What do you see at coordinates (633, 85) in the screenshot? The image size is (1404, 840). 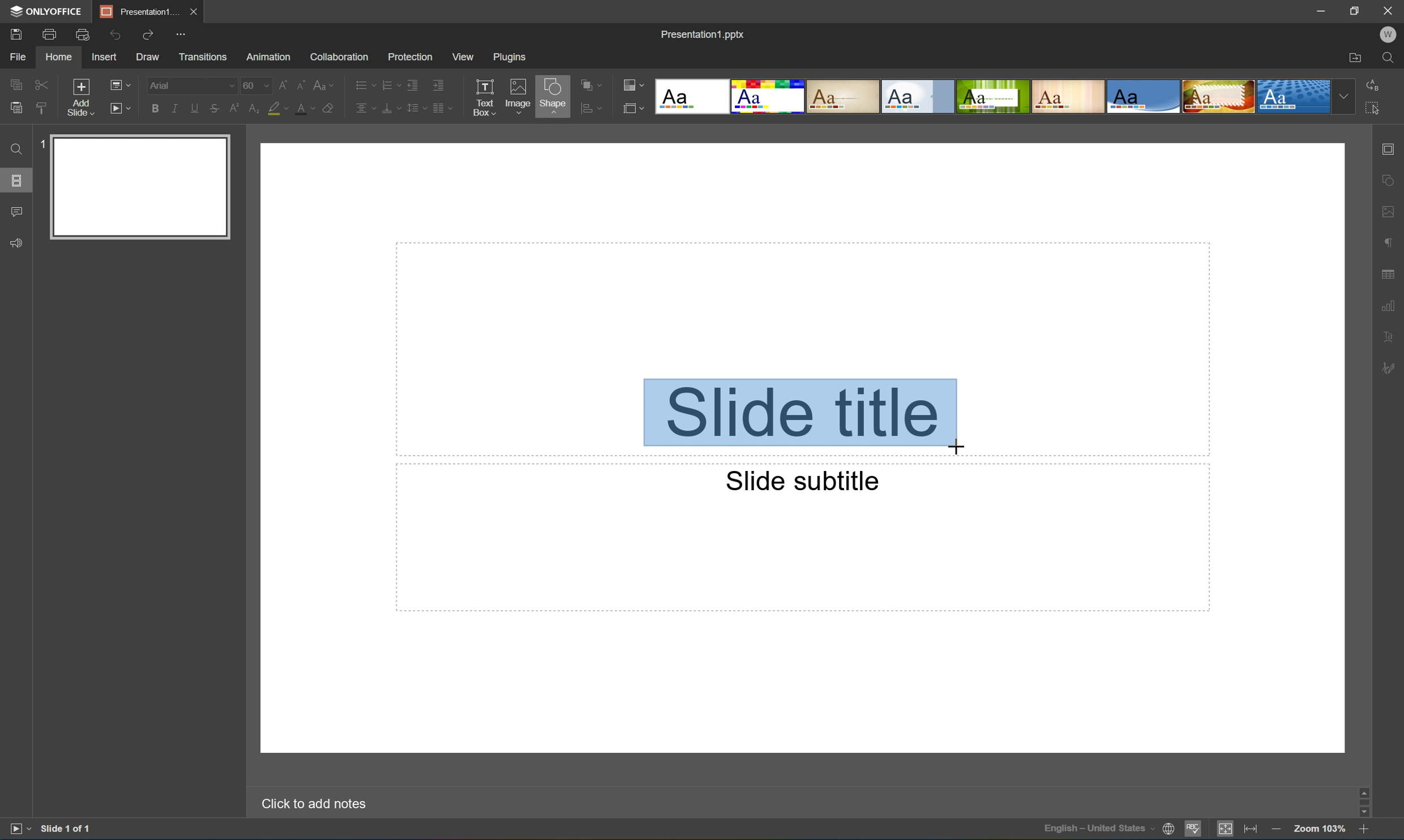 I see `Change color theme` at bounding box center [633, 85].